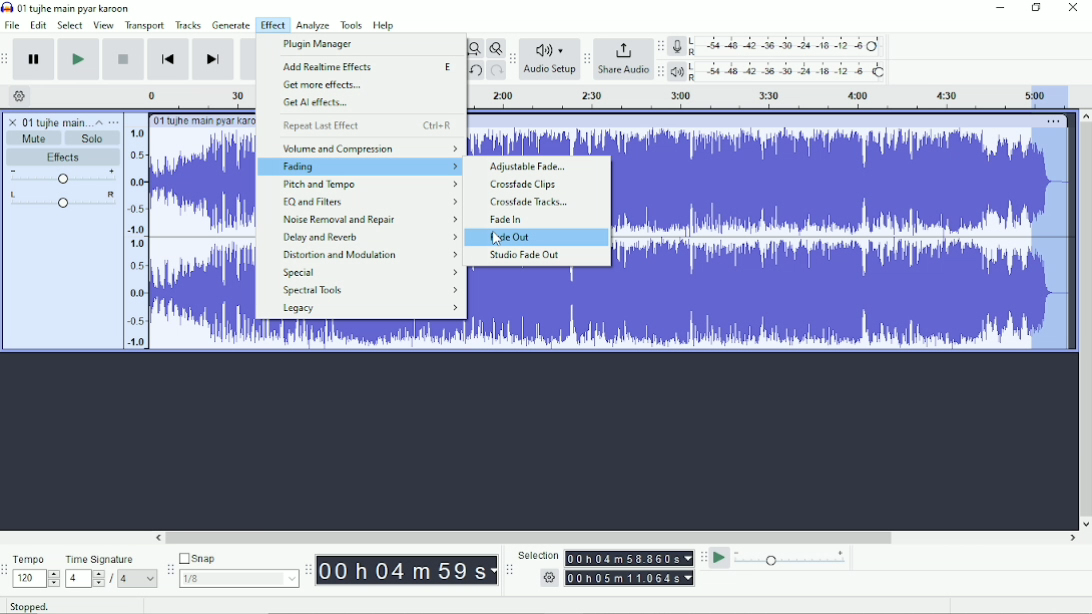 The height and width of the screenshot is (614, 1092). What do you see at coordinates (371, 291) in the screenshot?
I see `Spectral Tools` at bounding box center [371, 291].